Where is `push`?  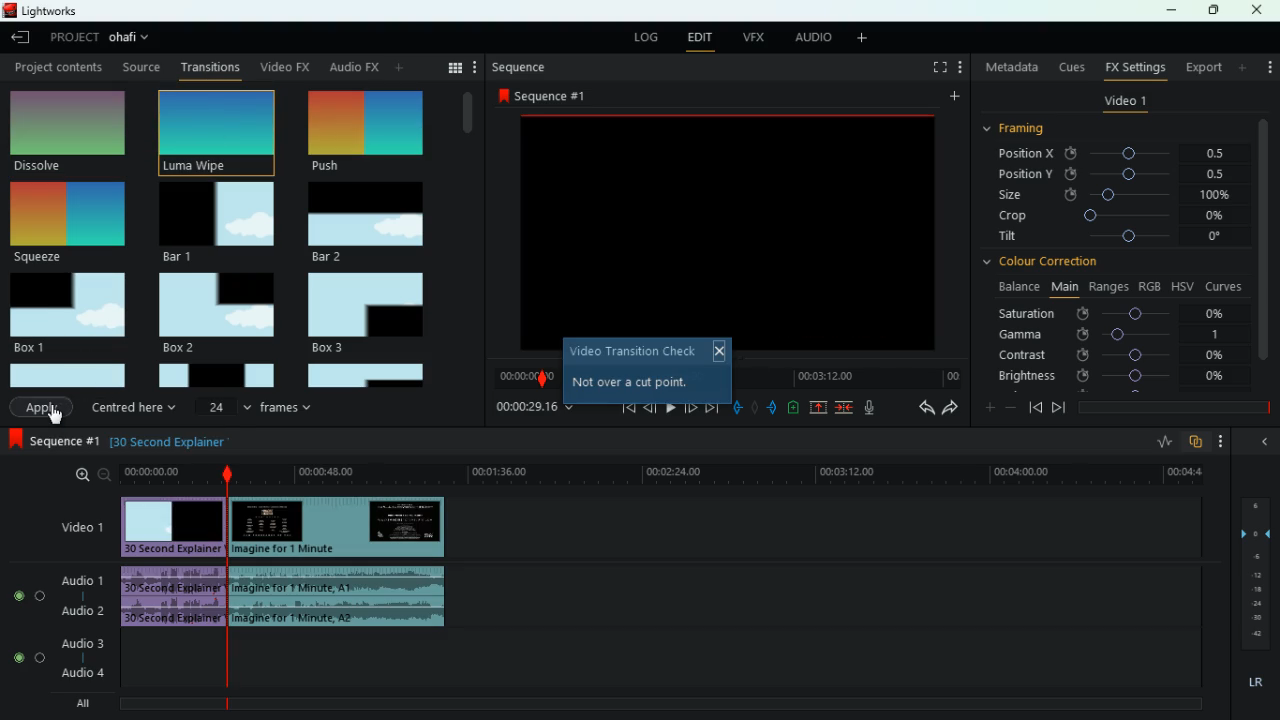 push is located at coordinates (774, 409).